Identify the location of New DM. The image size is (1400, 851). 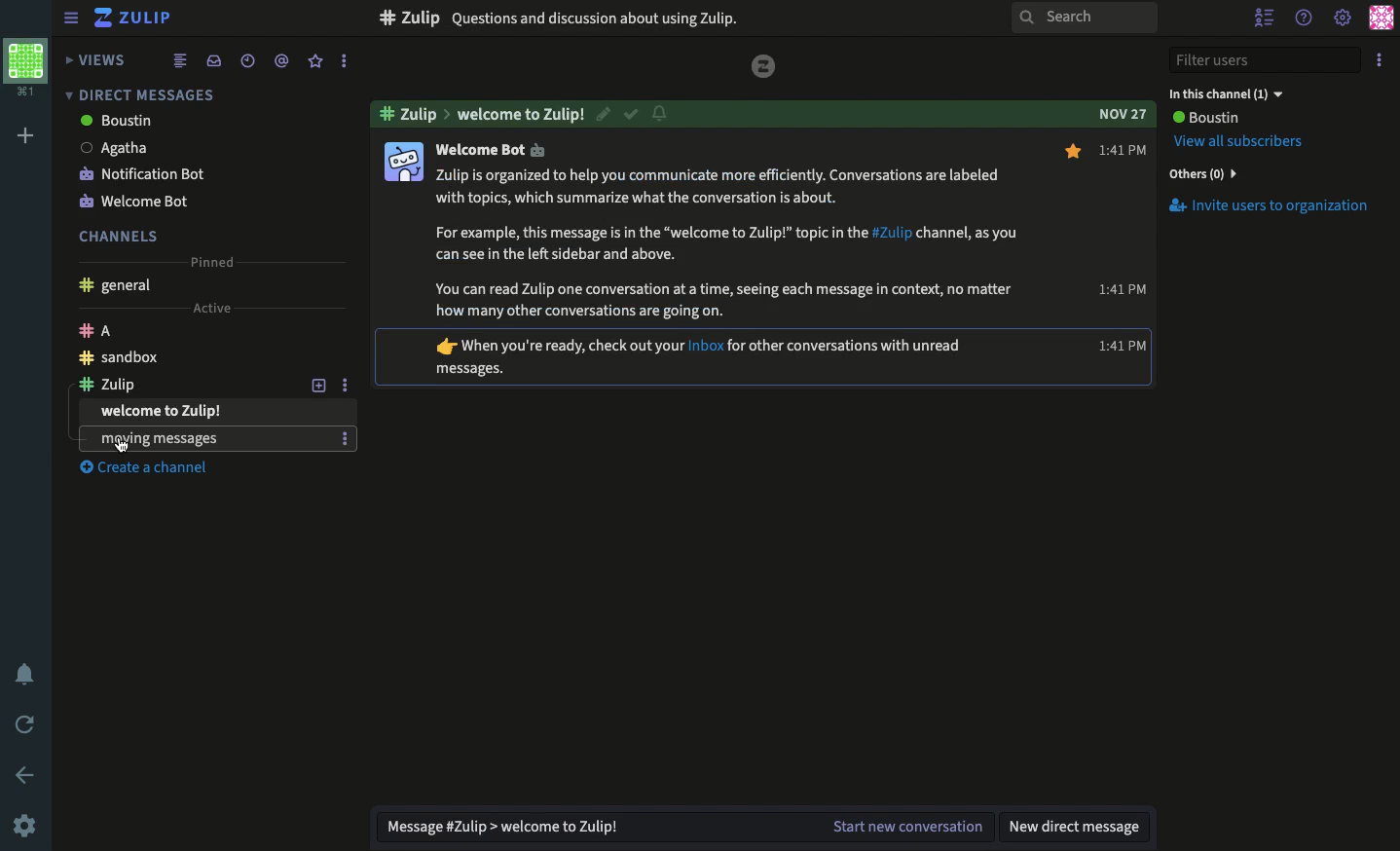
(1078, 826).